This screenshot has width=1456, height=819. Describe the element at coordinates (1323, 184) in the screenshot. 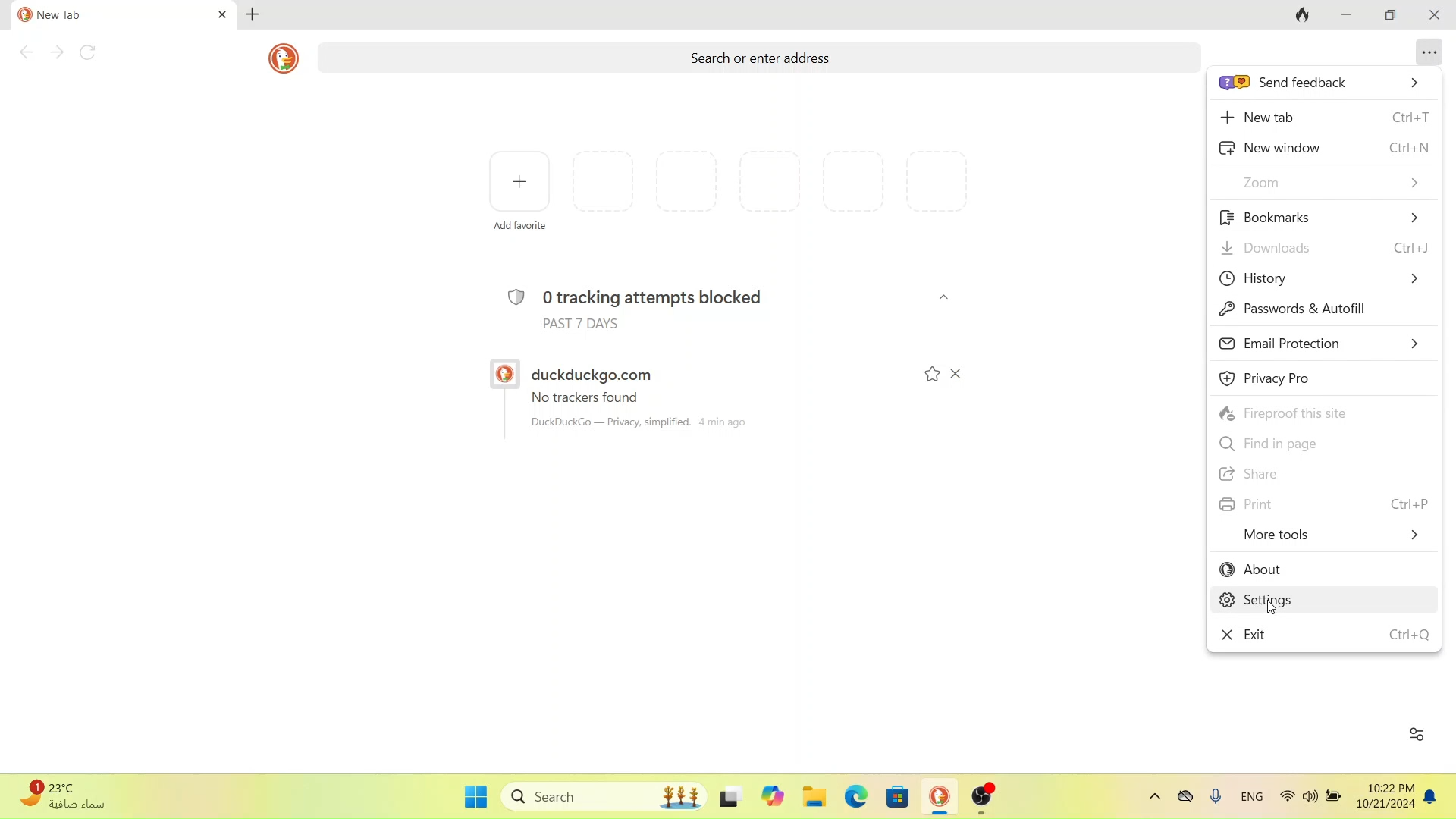

I see `zoom` at that location.